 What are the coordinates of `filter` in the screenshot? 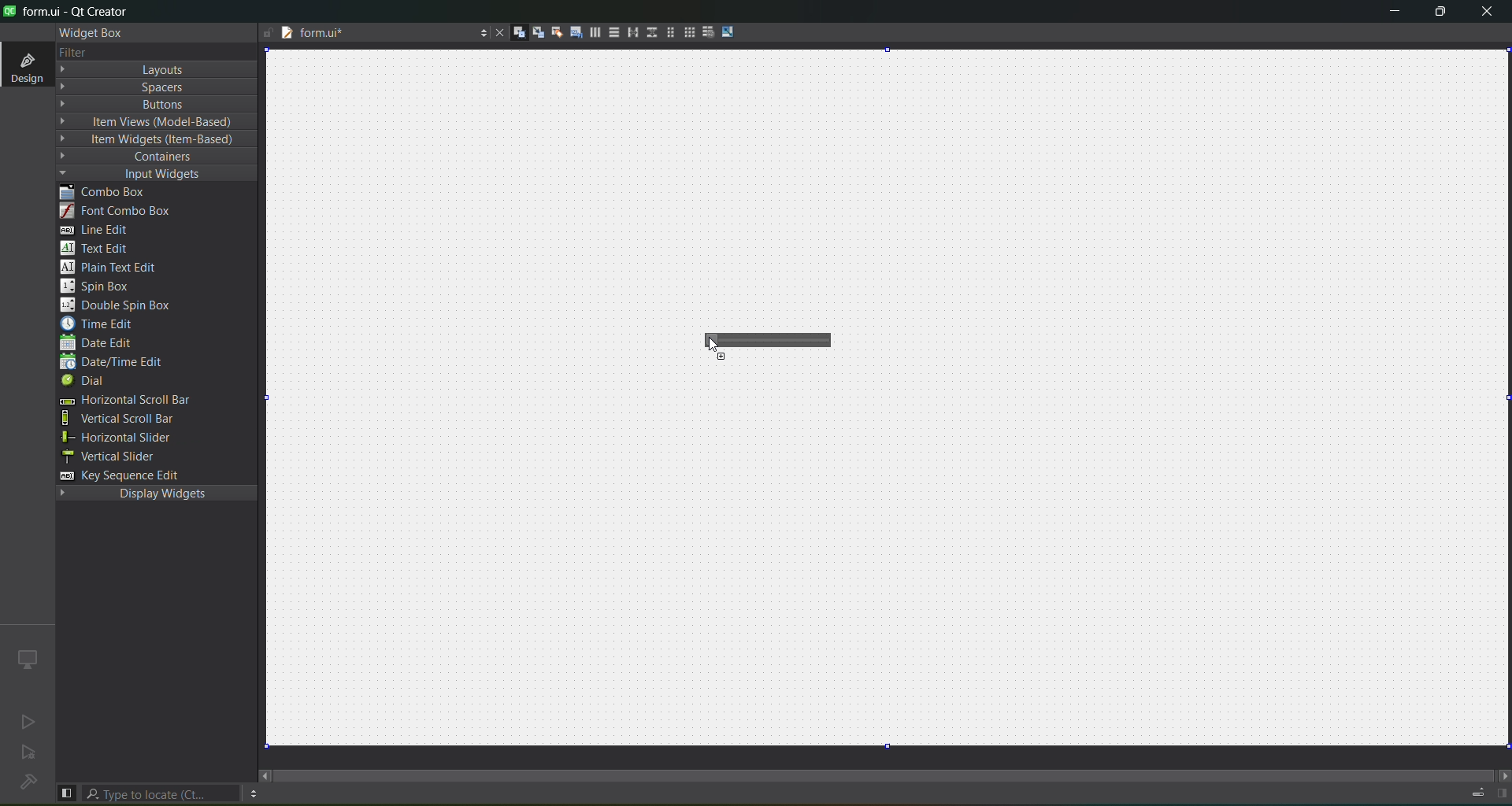 It's located at (70, 52).